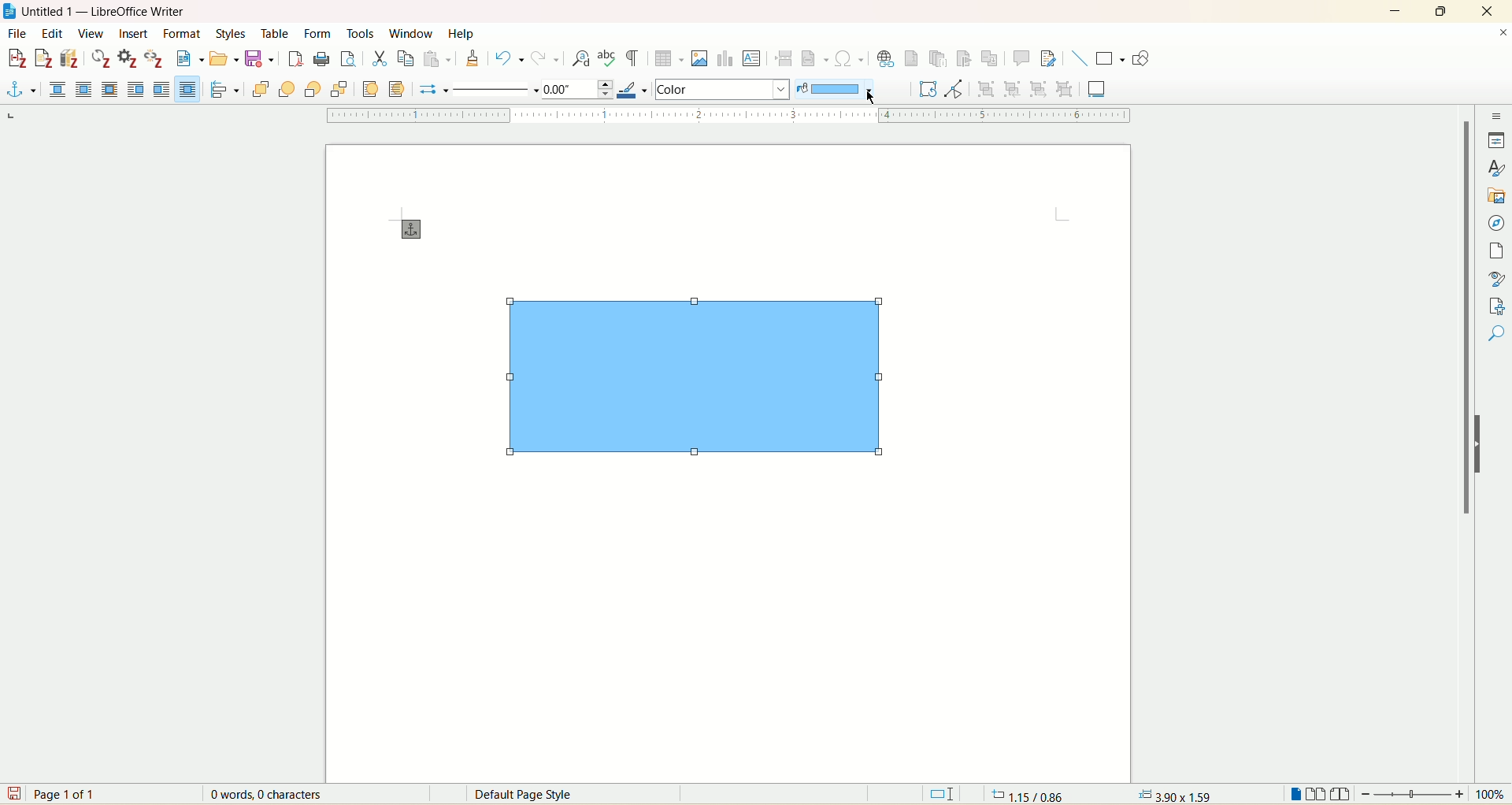 Image resolution: width=1512 pixels, height=805 pixels. Describe the element at coordinates (379, 57) in the screenshot. I see `cut` at that location.